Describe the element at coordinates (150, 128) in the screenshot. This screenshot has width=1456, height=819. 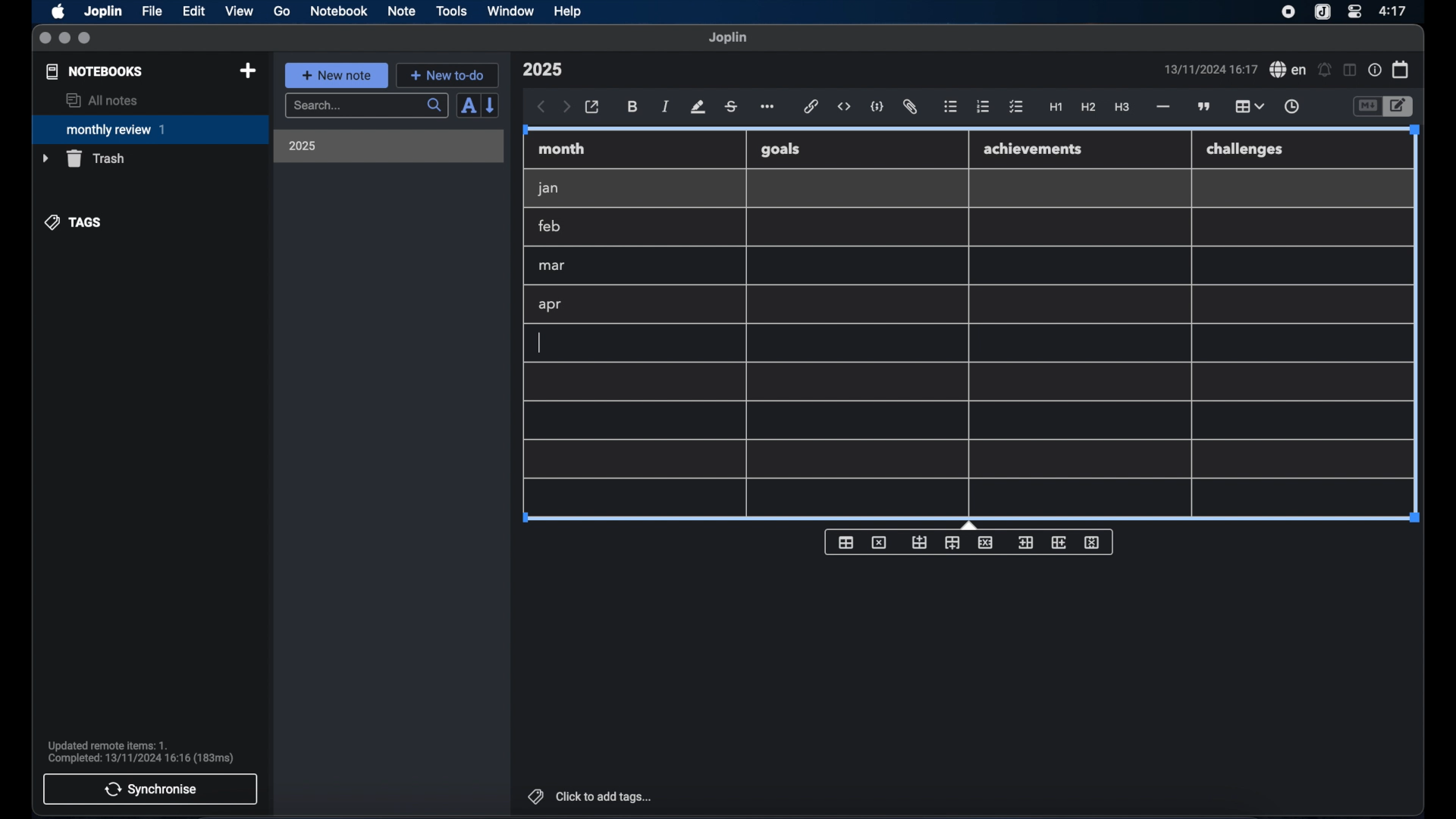
I see `monthly review` at that location.